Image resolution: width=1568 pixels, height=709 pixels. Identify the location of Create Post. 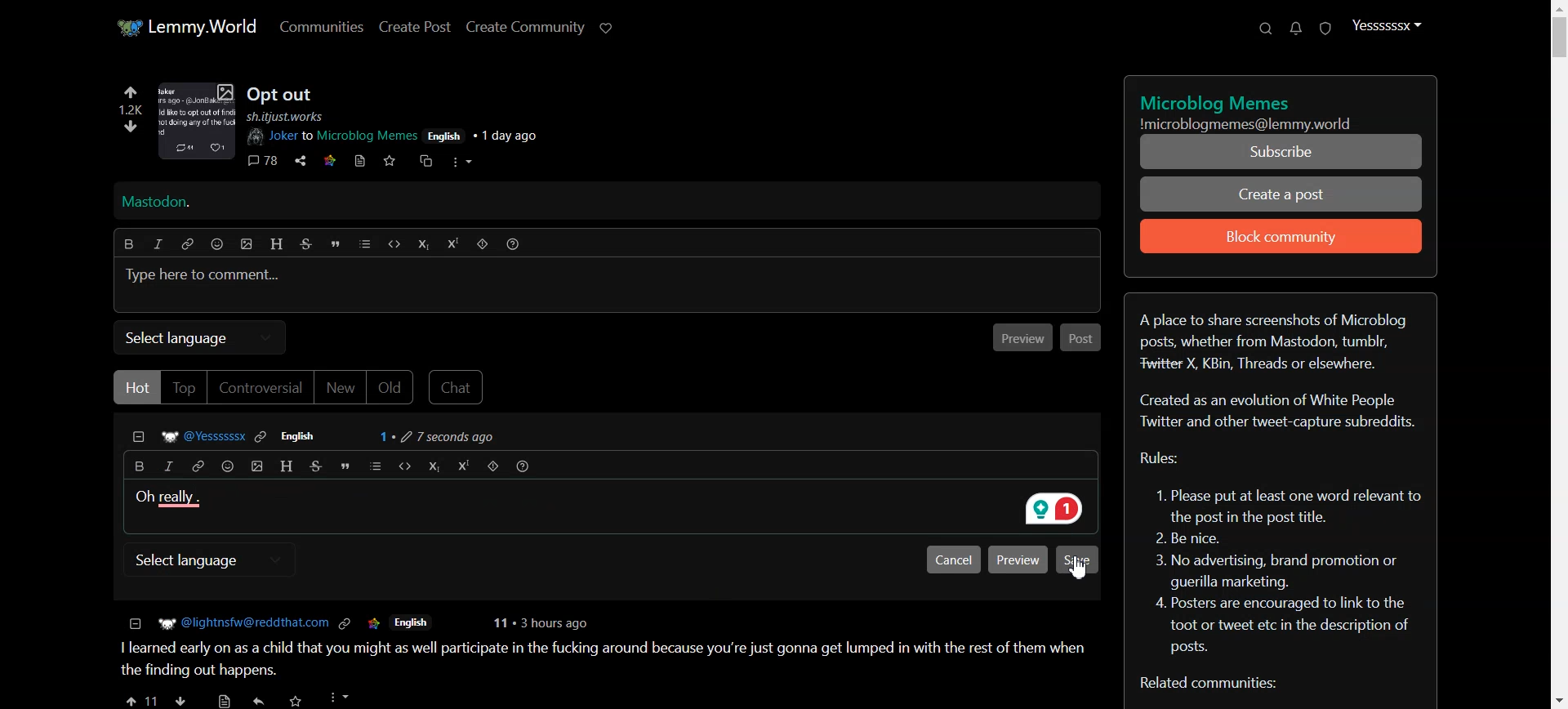
(415, 26).